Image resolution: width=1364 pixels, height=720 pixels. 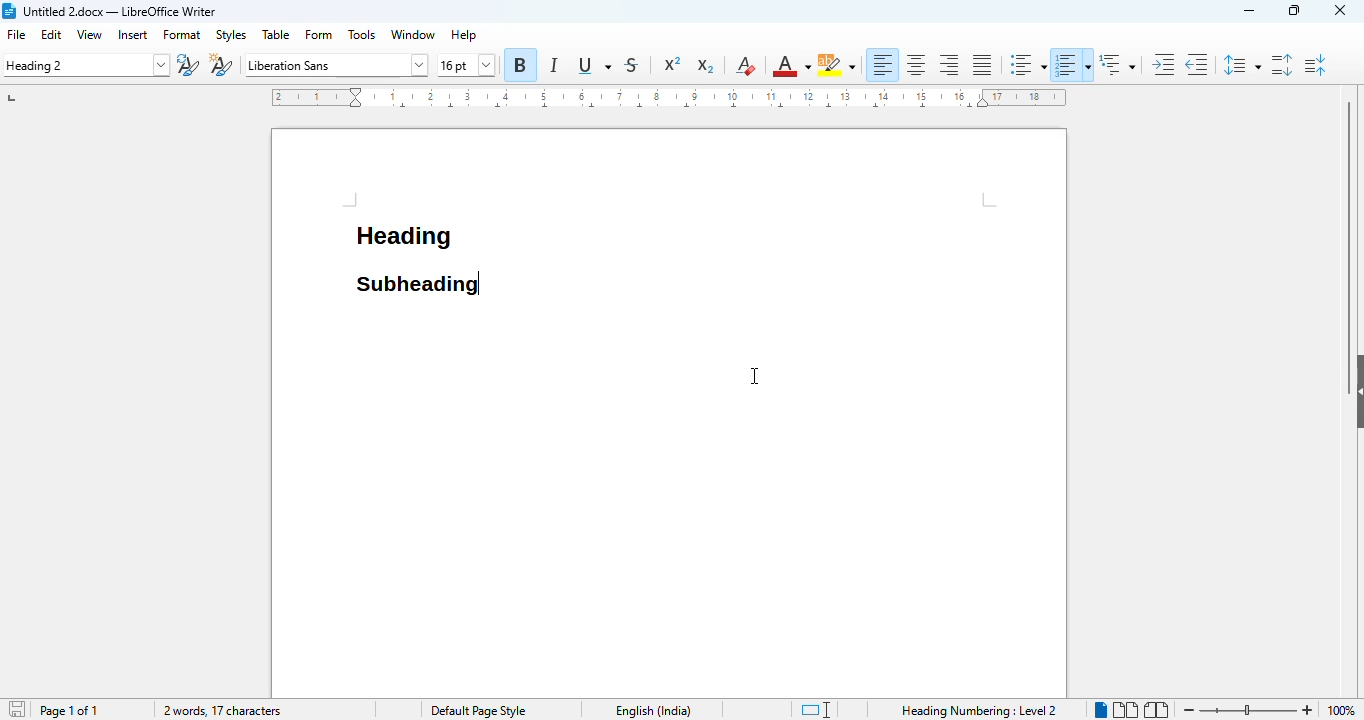 What do you see at coordinates (466, 65) in the screenshot?
I see `font size` at bounding box center [466, 65].